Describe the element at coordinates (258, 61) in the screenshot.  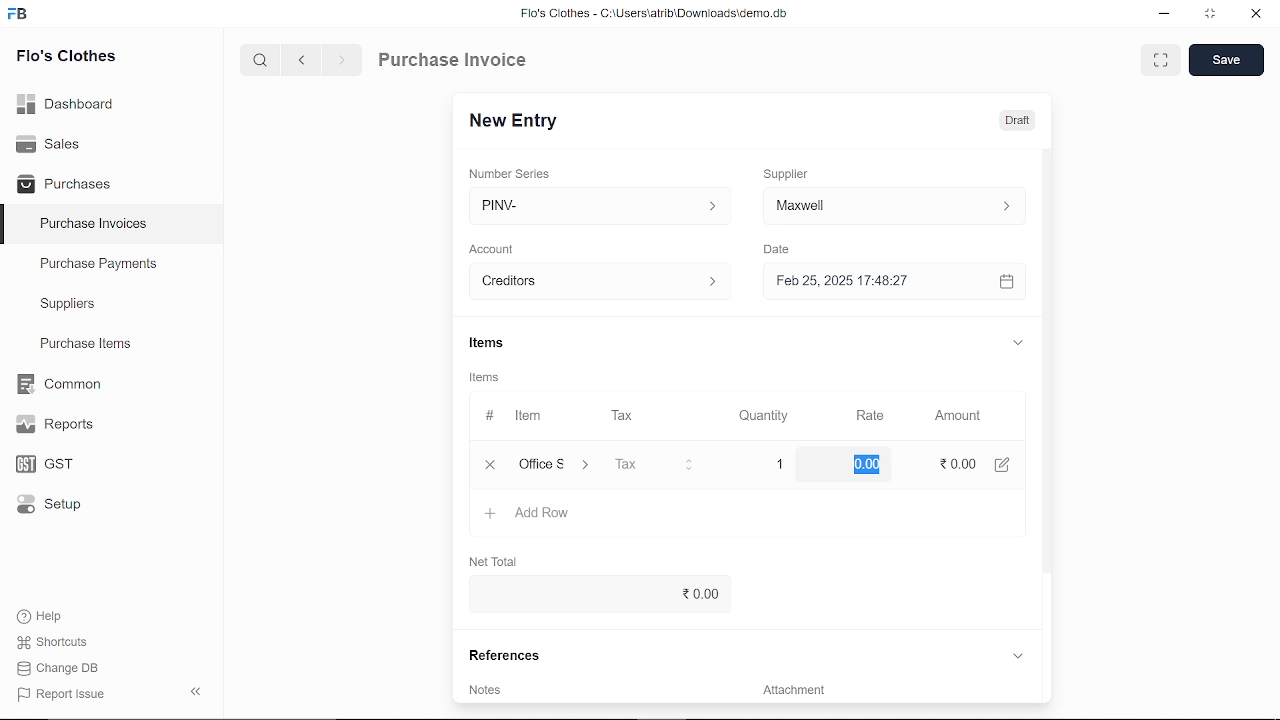
I see `serach` at that location.